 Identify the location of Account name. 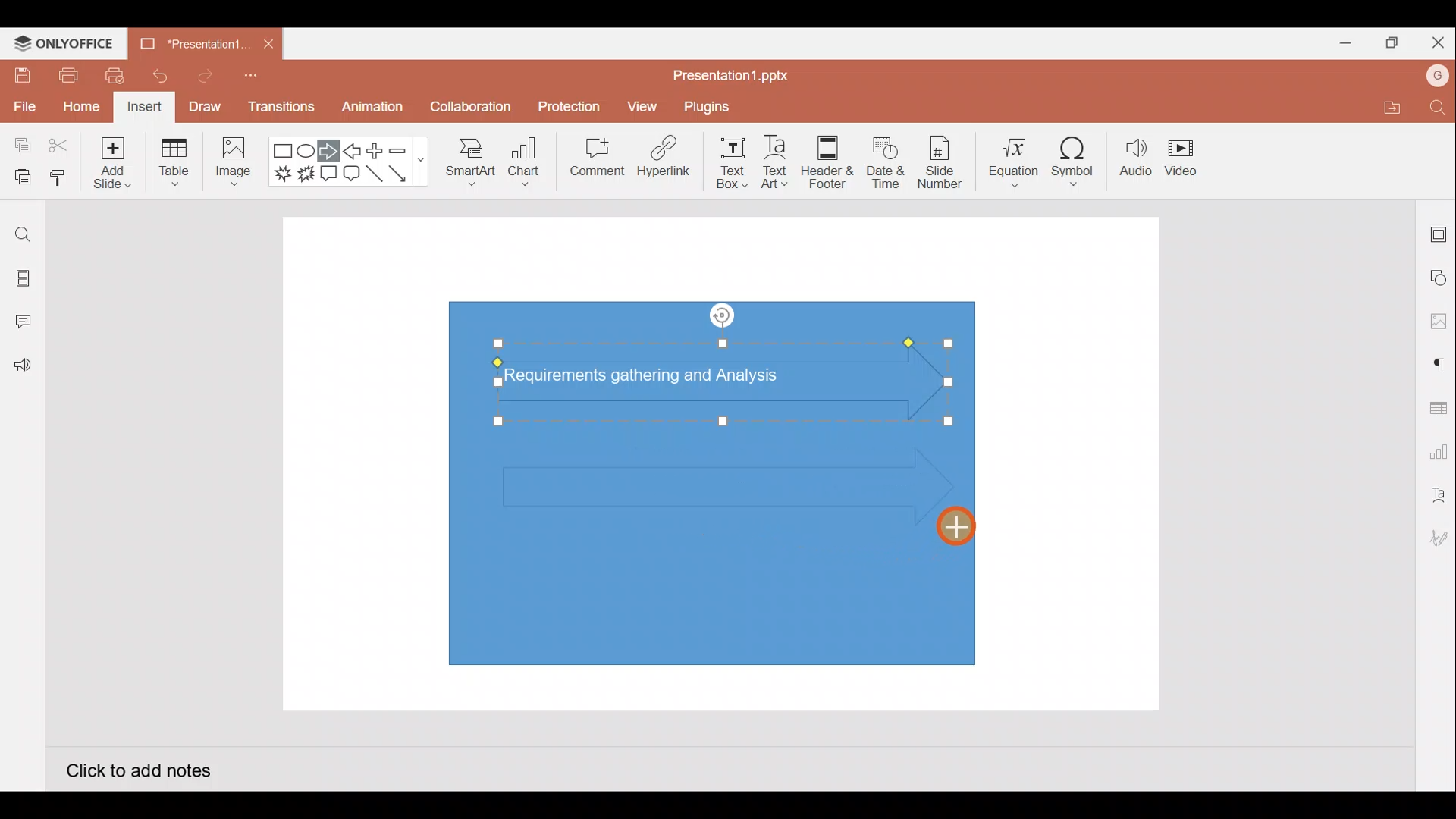
(1438, 76).